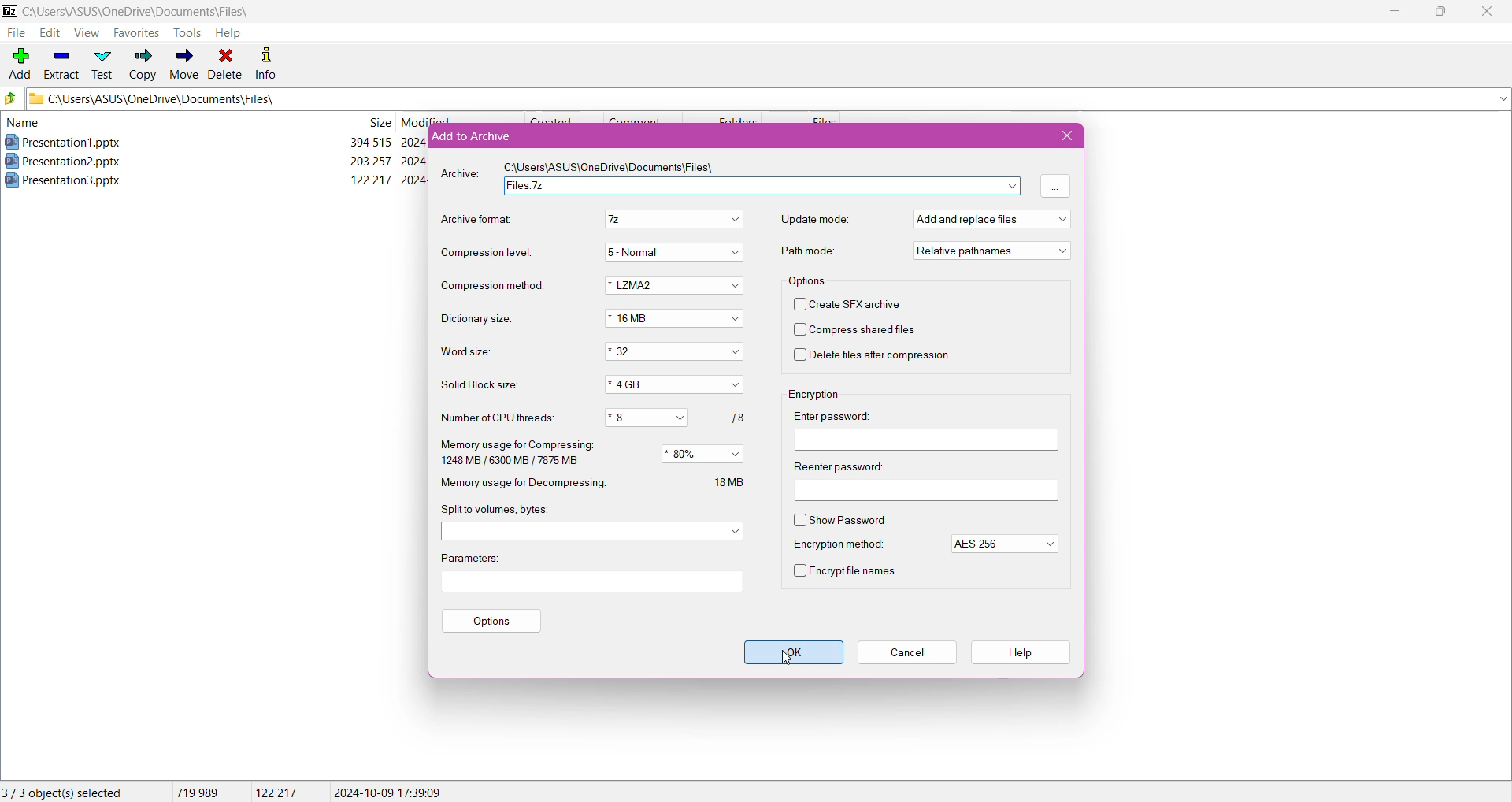 This screenshot has height=802, width=1512. What do you see at coordinates (732, 481) in the screenshot?
I see `18 MB` at bounding box center [732, 481].